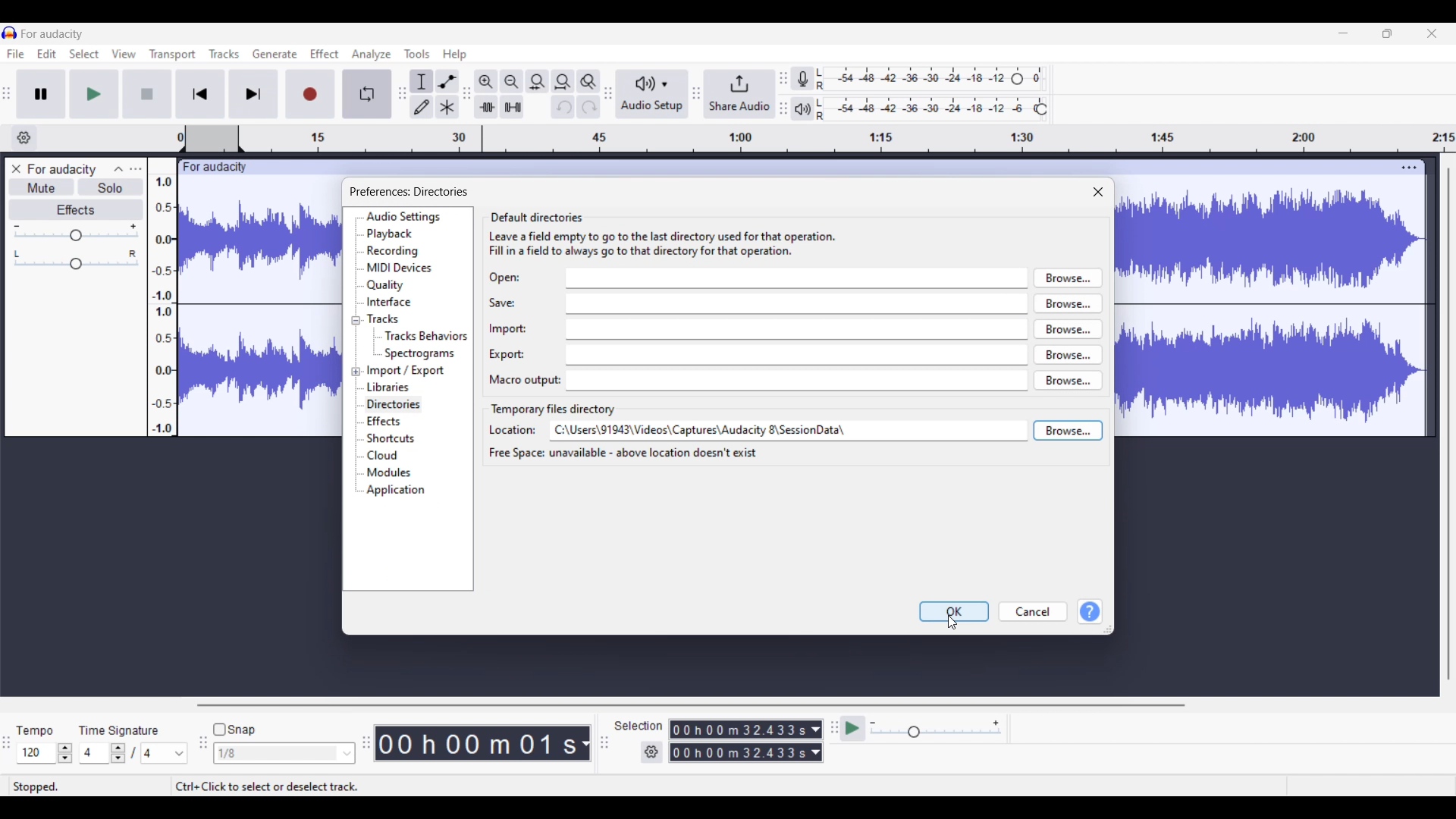 The width and height of the screenshot is (1456, 819). I want to click on Indicates text box for location, so click(513, 429).